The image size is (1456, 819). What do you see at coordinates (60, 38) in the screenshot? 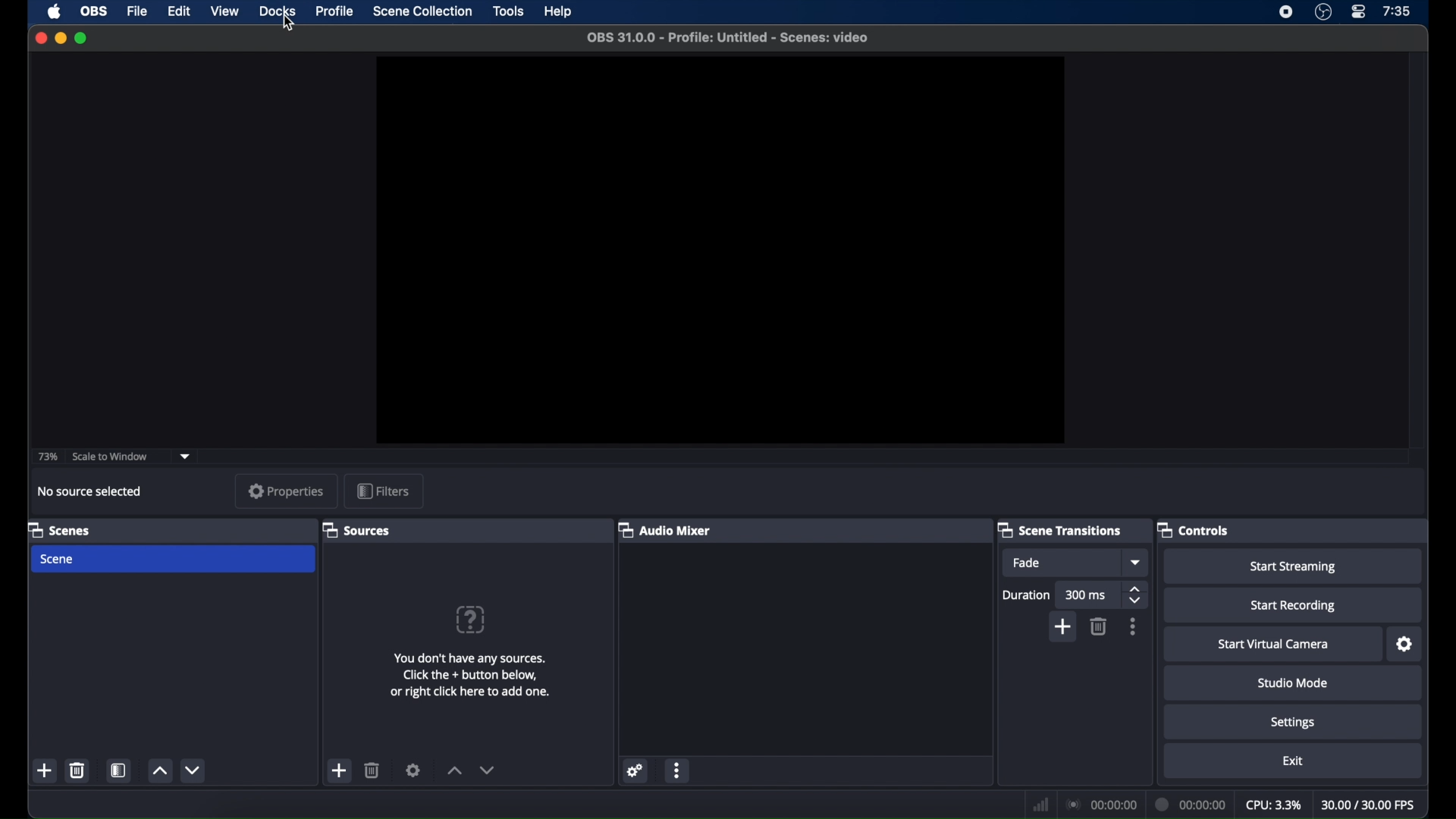
I see `minimize` at bounding box center [60, 38].